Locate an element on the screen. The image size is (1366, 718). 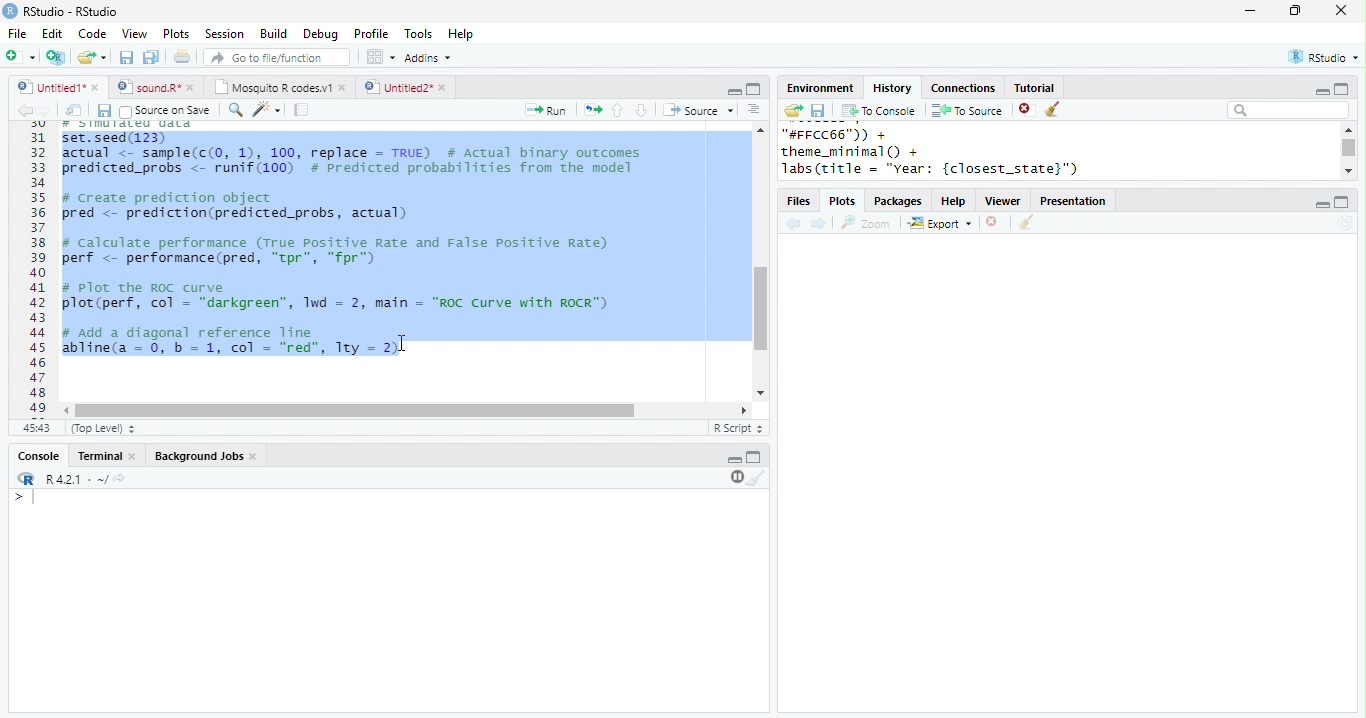
new project is located at coordinates (57, 57).